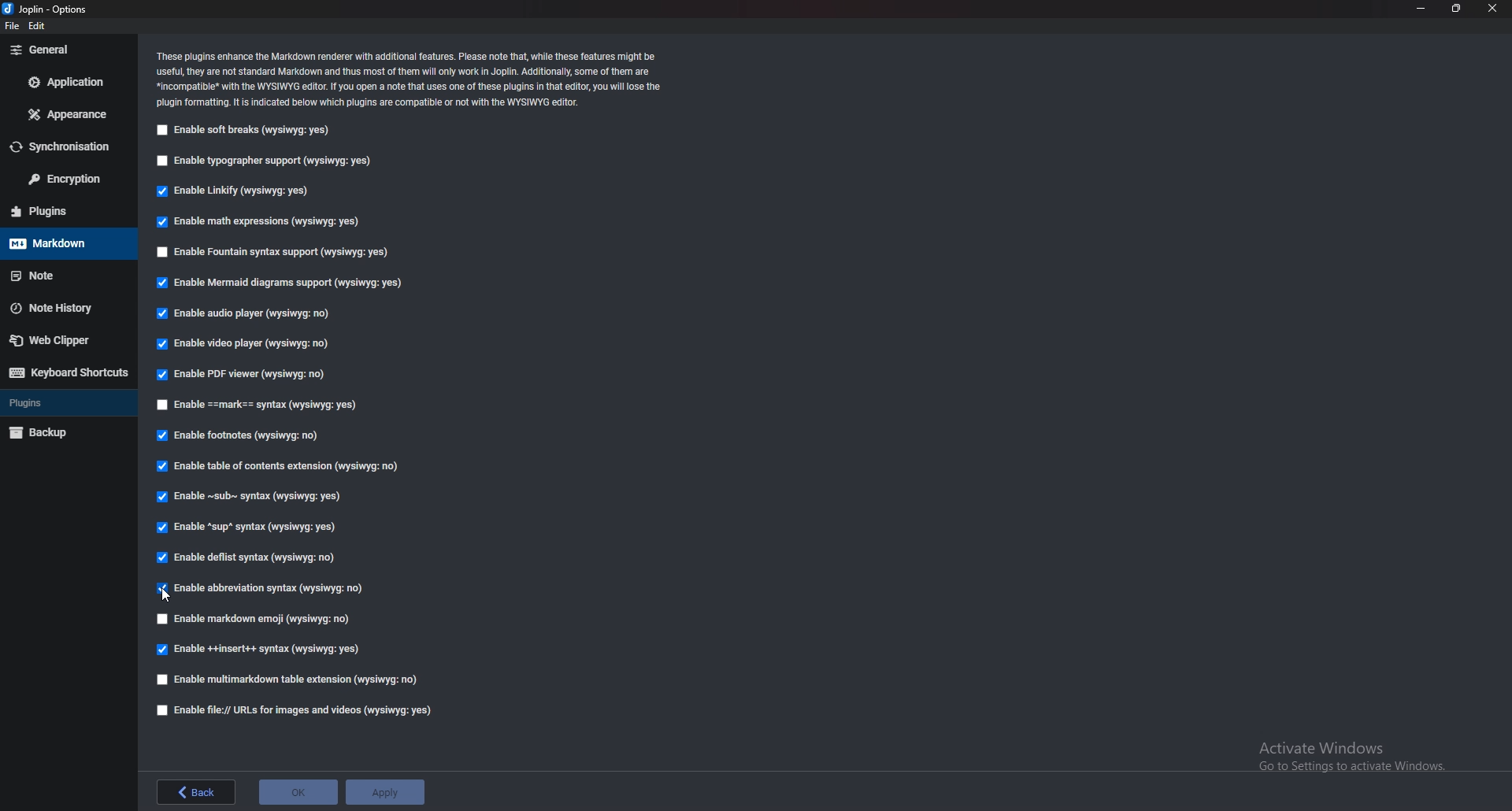 The image size is (1512, 811). Describe the element at coordinates (246, 557) in the screenshot. I see `Enable deflist syntax` at that location.